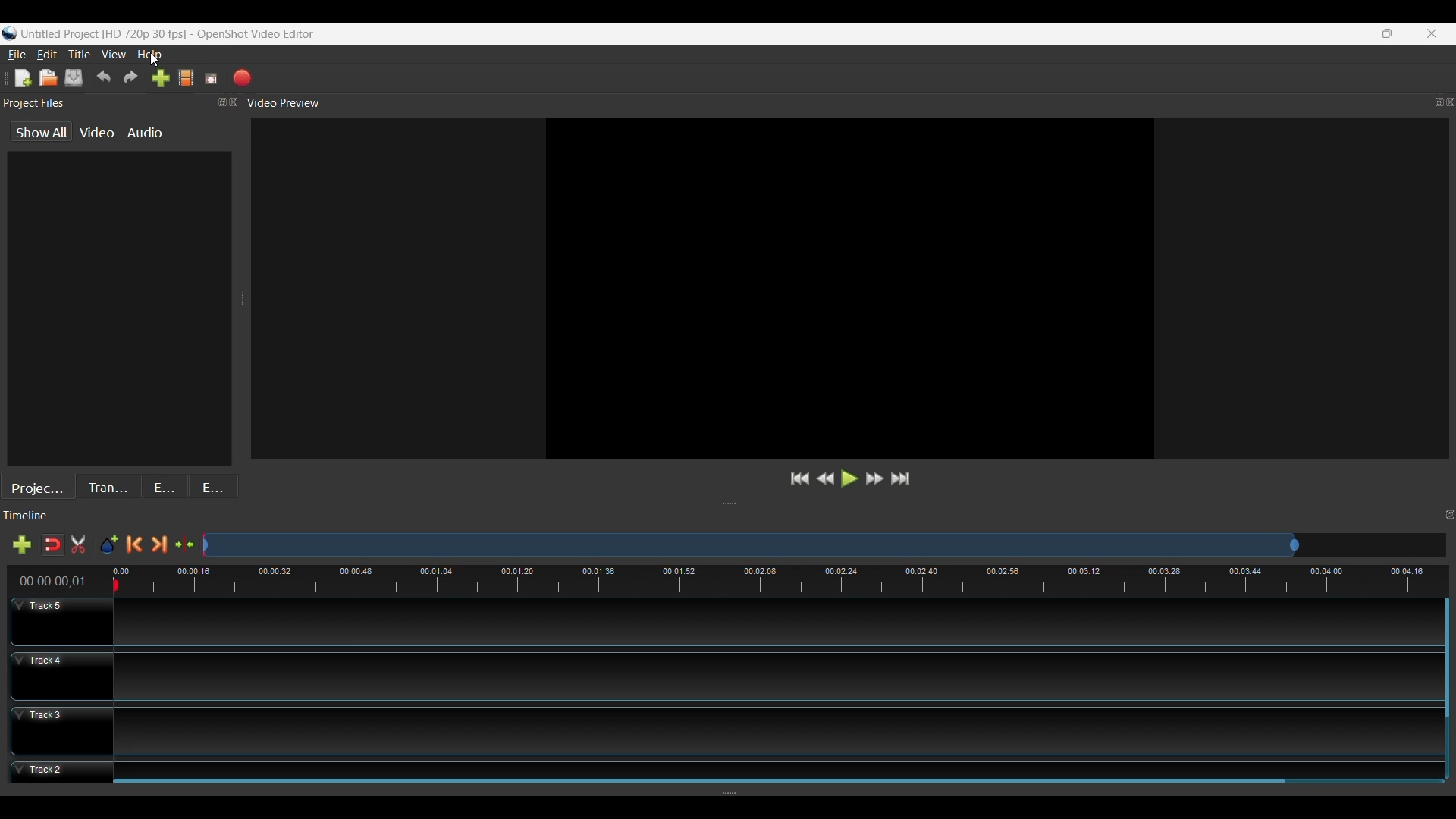  I want to click on Transition, so click(111, 485).